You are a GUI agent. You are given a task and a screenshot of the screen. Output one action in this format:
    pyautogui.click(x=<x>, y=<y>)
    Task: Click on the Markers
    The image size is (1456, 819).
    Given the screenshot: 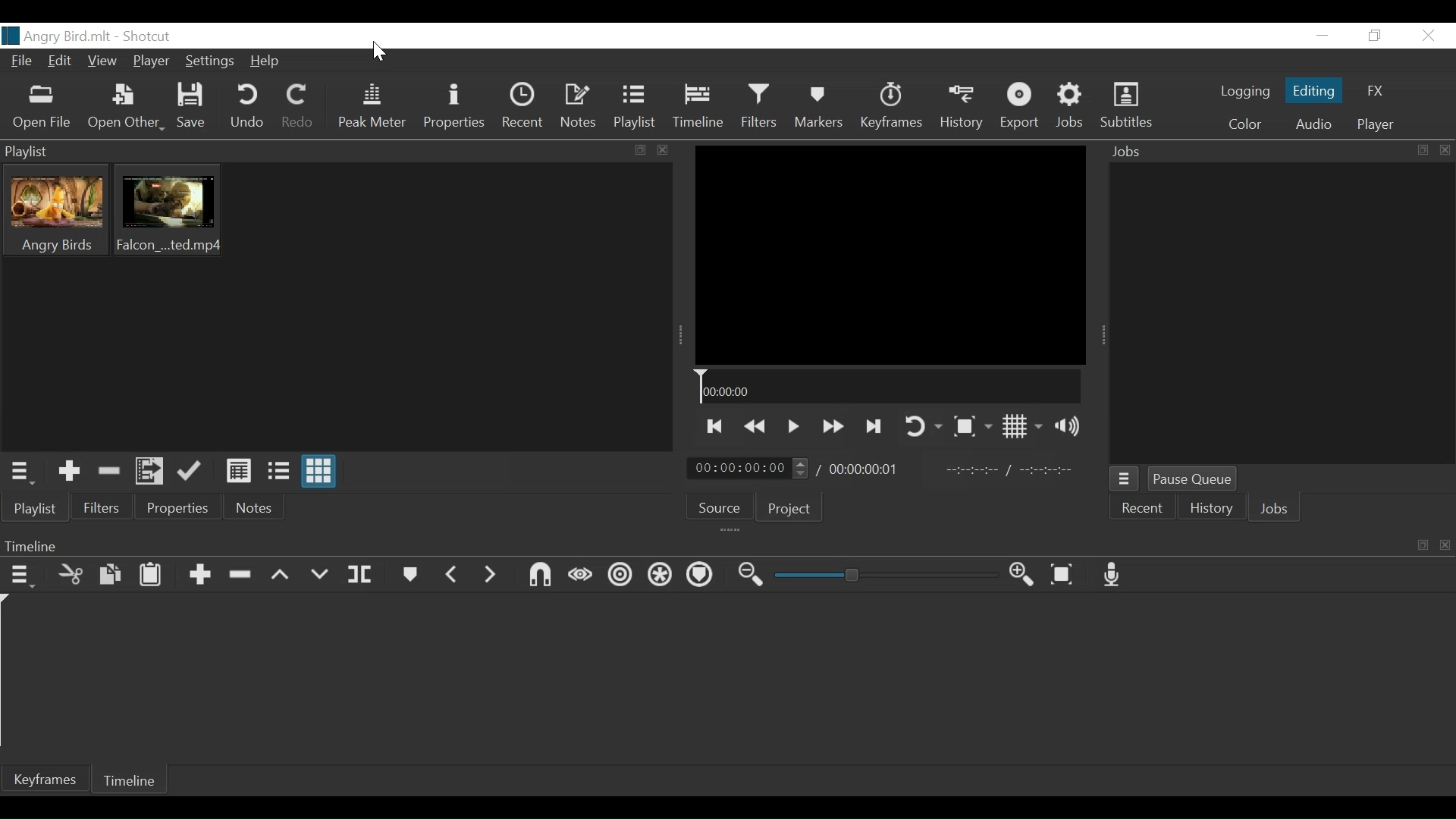 What is the action you would take?
    pyautogui.click(x=411, y=575)
    